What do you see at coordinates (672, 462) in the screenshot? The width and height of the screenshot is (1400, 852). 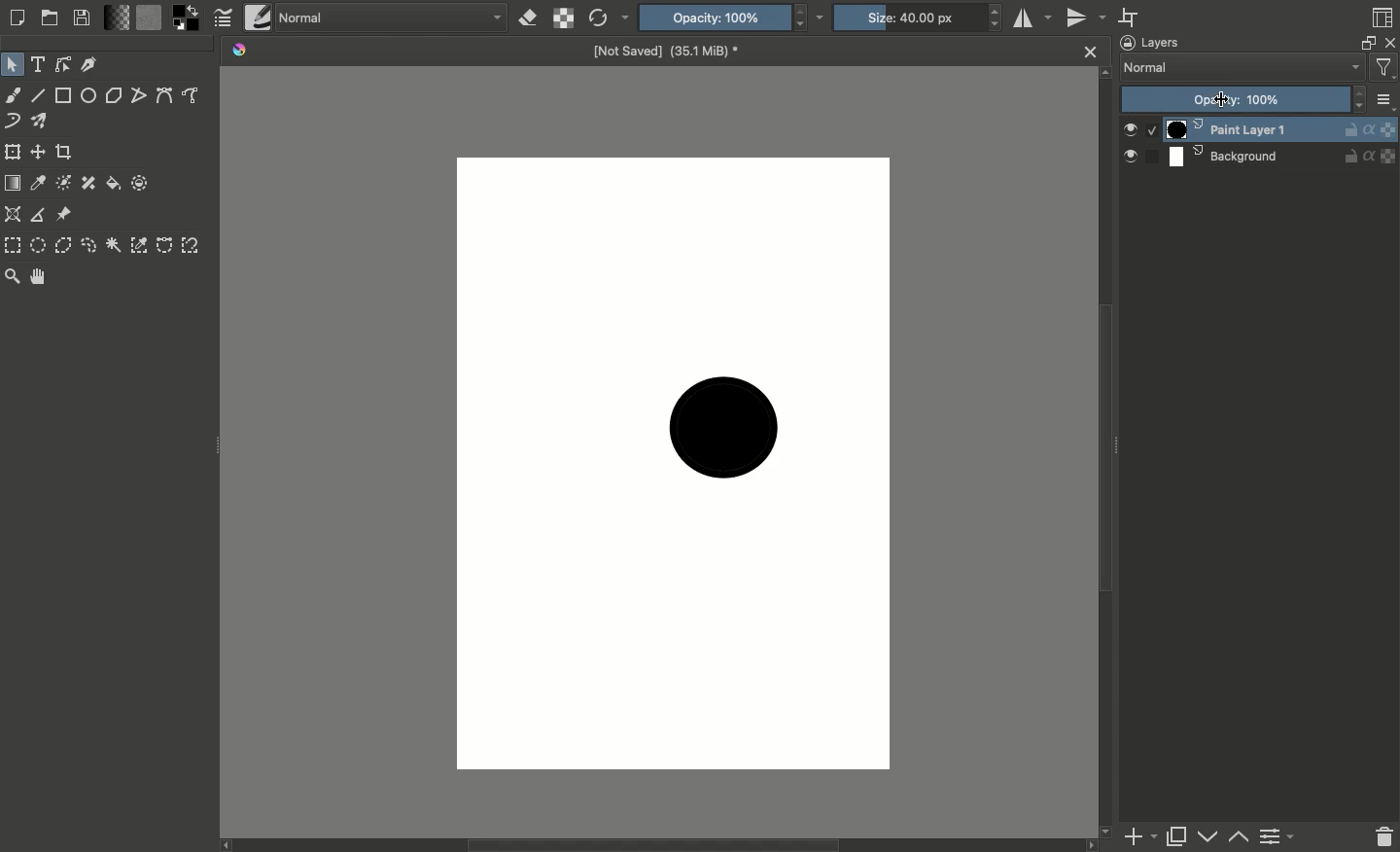 I see `Canvas` at bounding box center [672, 462].